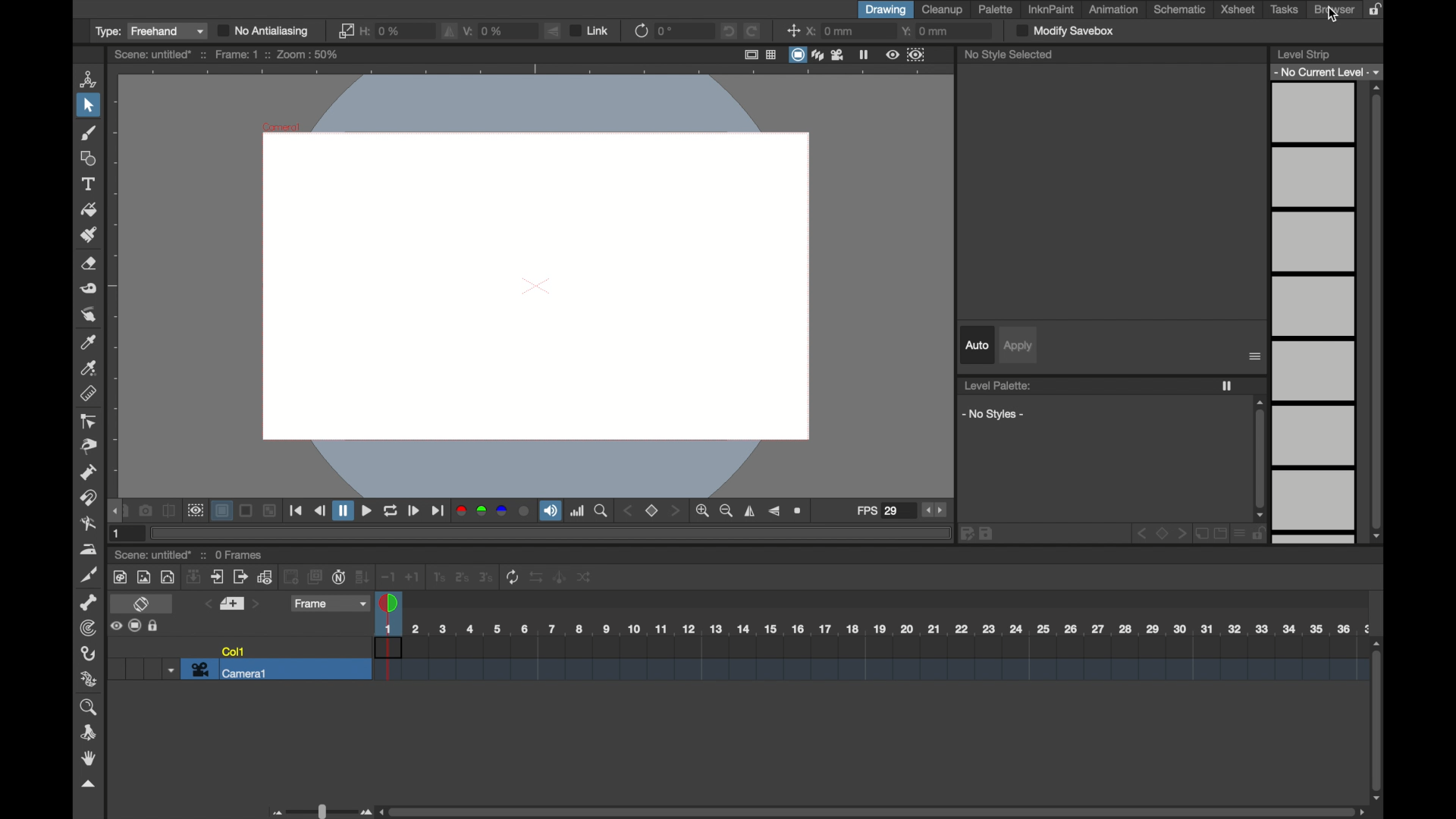 This screenshot has width=1456, height=819. Describe the element at coordinates (484, 31) in the screenshot. I see `v: 0%` at that location.